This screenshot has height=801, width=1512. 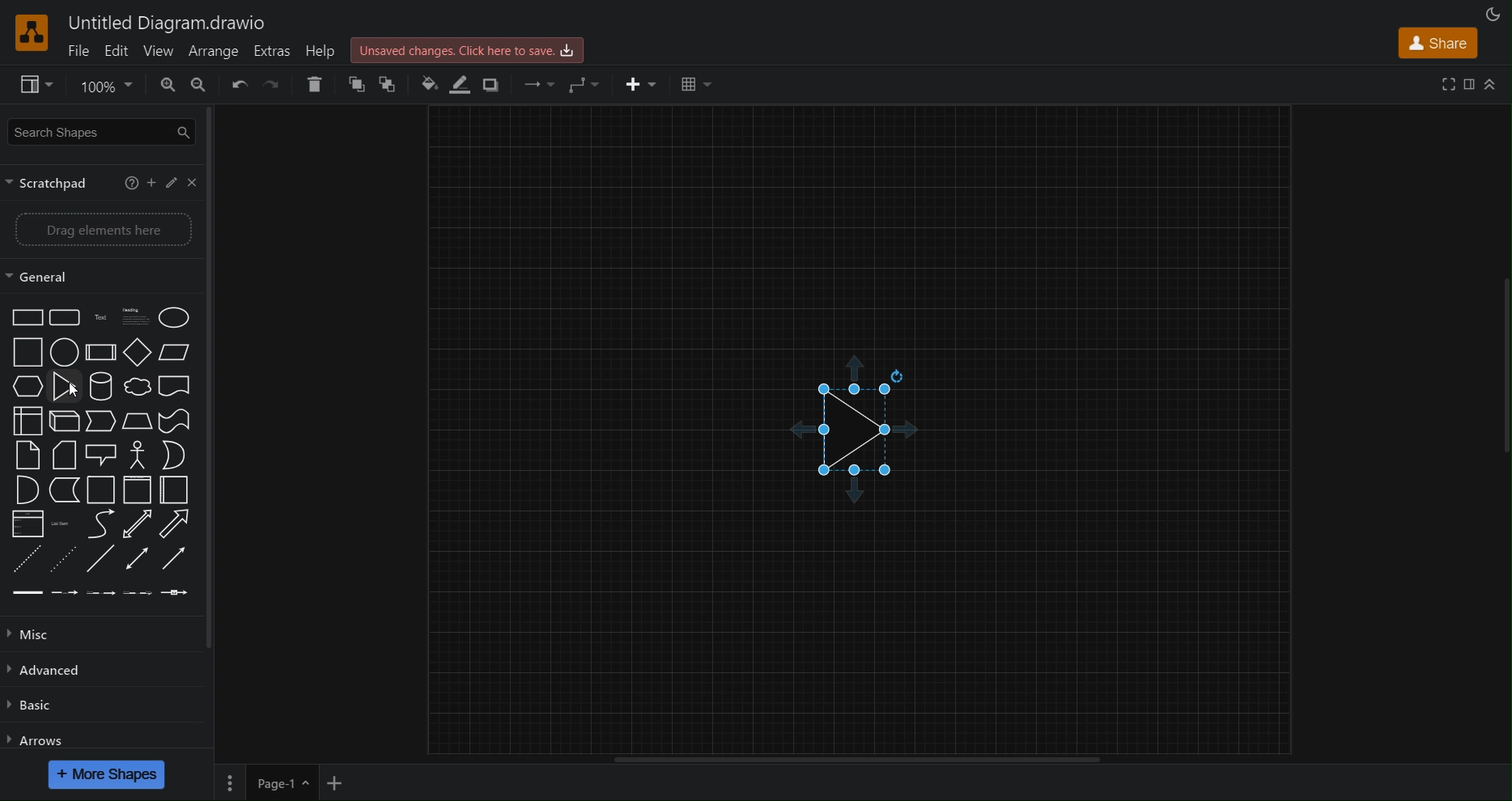 What do you see at coordinates (1440, 43) in the screenshot?
I see `Share` at bounding box center [1440, 43].